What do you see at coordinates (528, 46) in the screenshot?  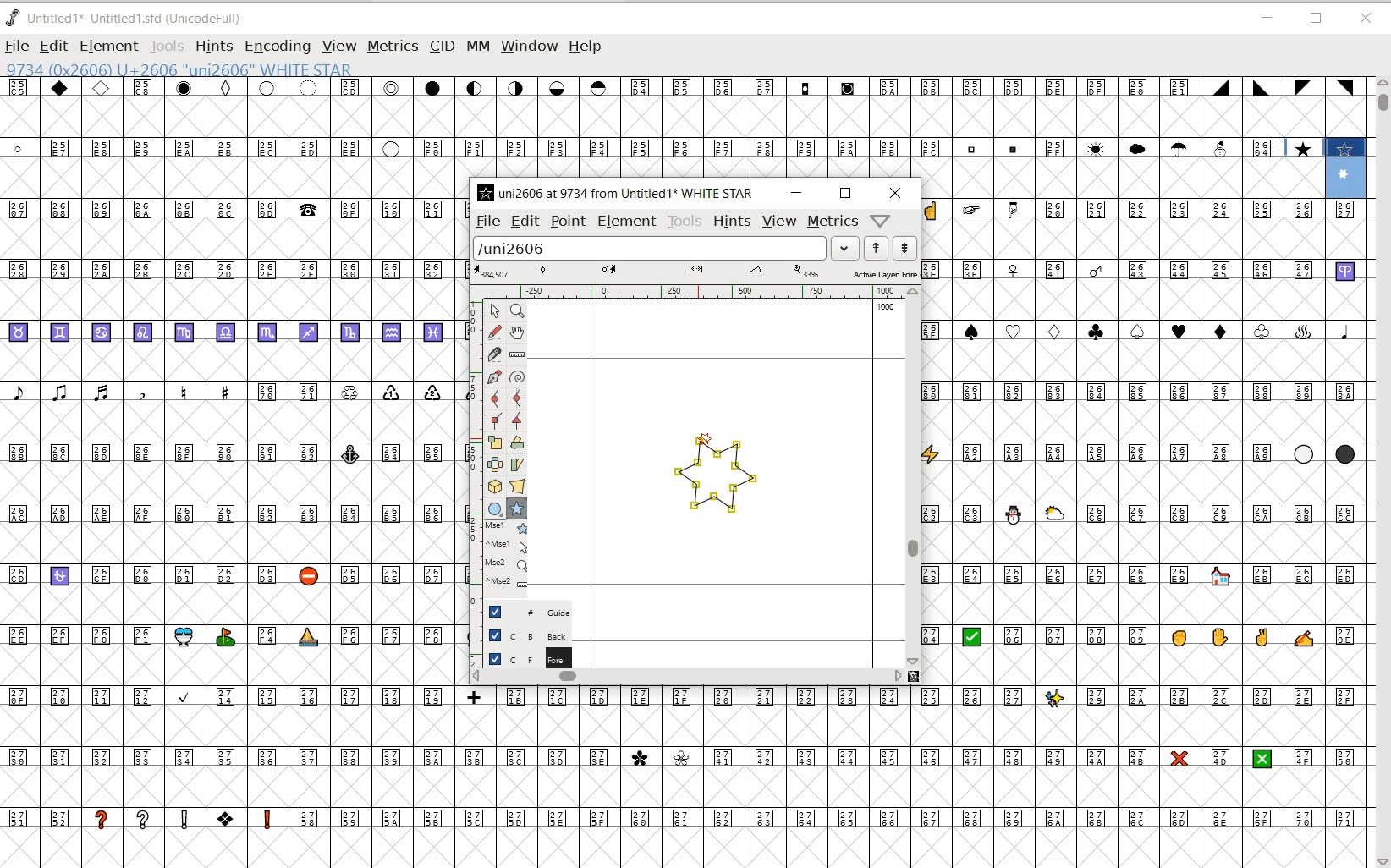 I see `WINDOW` at bounding box center [528, 46].